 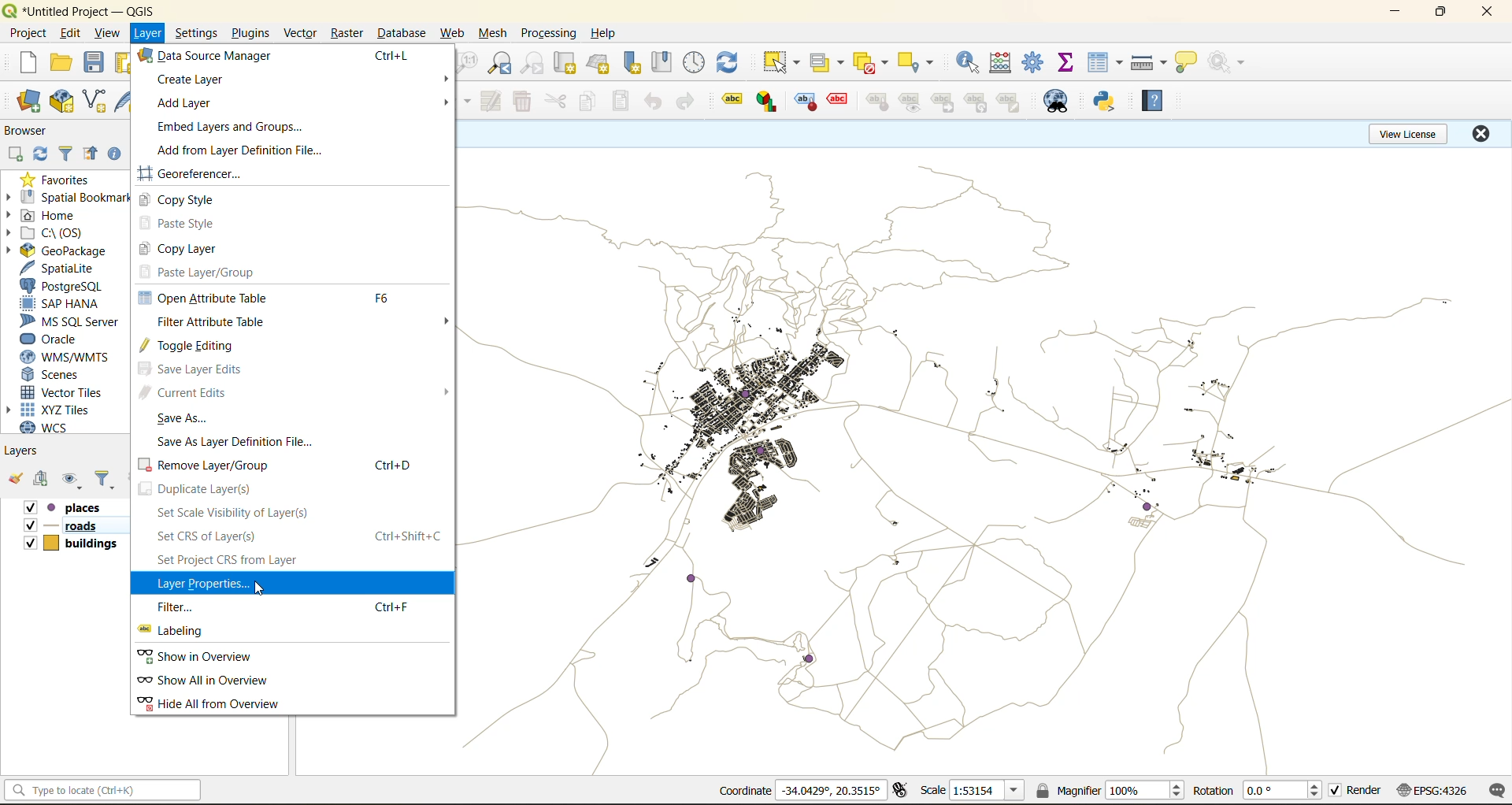 What do you see at coordinates (98, 102) in the screenshot?
I see `new shapefile` at bounding box center [98, 102].